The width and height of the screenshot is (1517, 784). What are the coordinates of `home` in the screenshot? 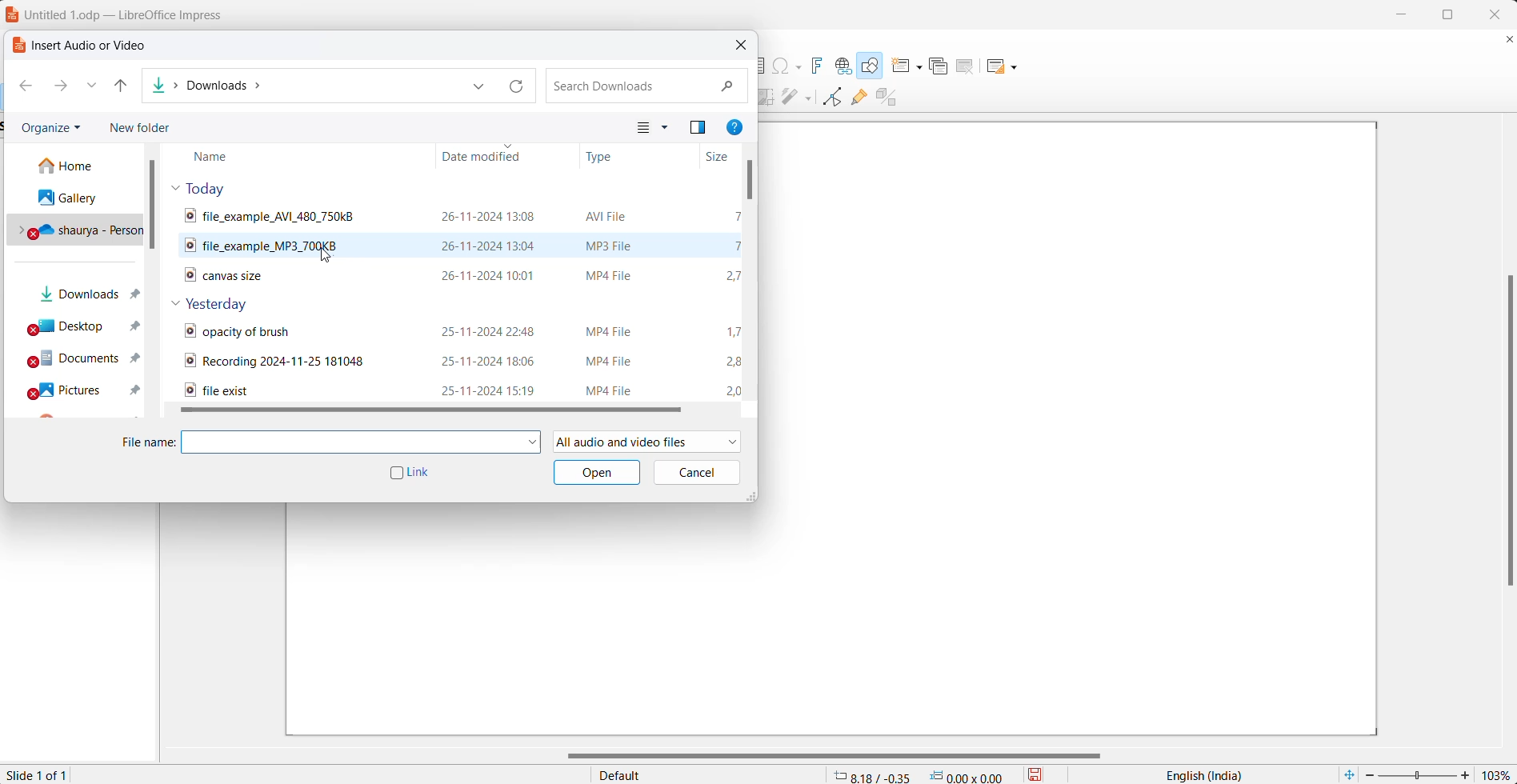 It's located at (78, 165).